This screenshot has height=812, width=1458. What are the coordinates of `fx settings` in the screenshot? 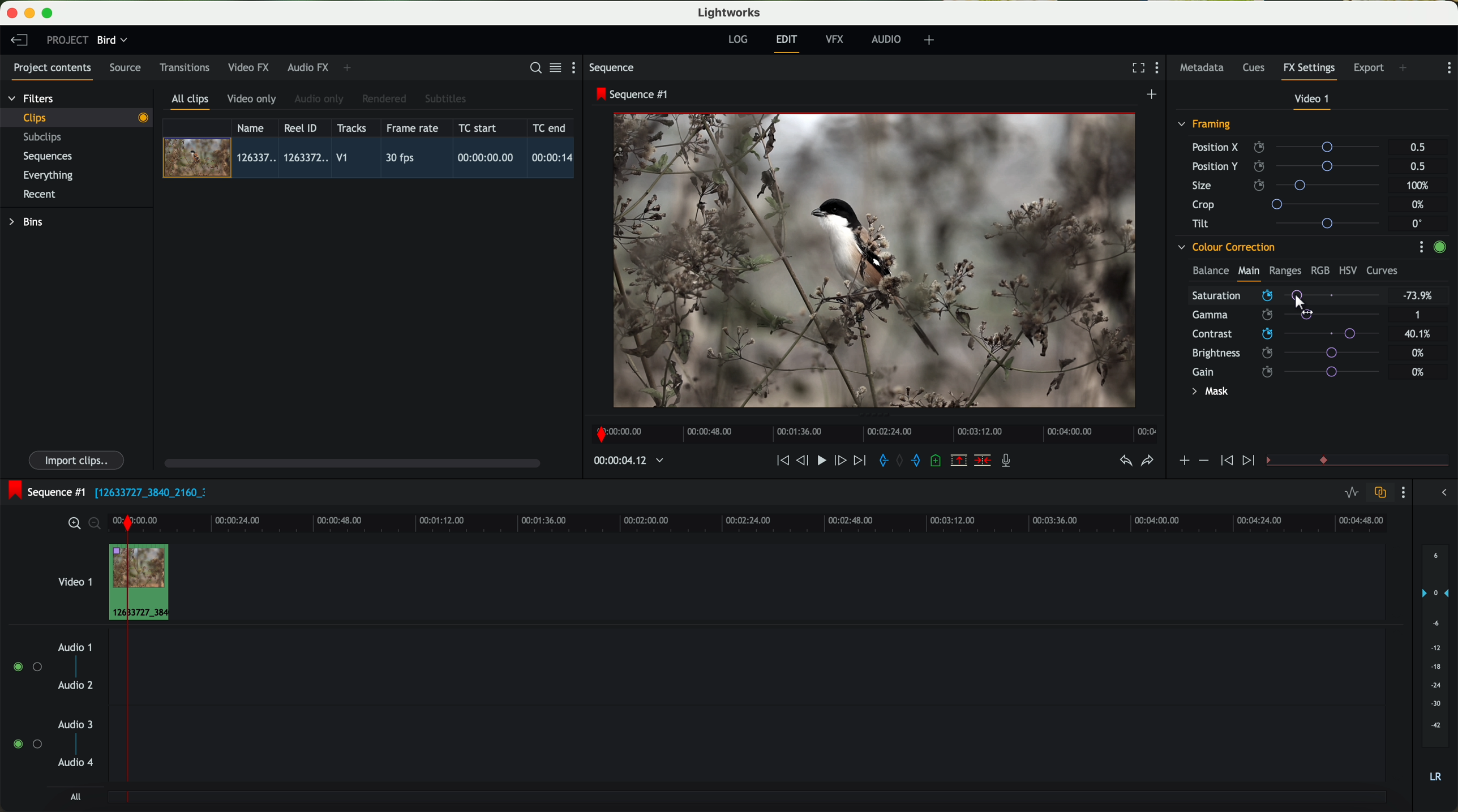 It's located at (1309, 71).